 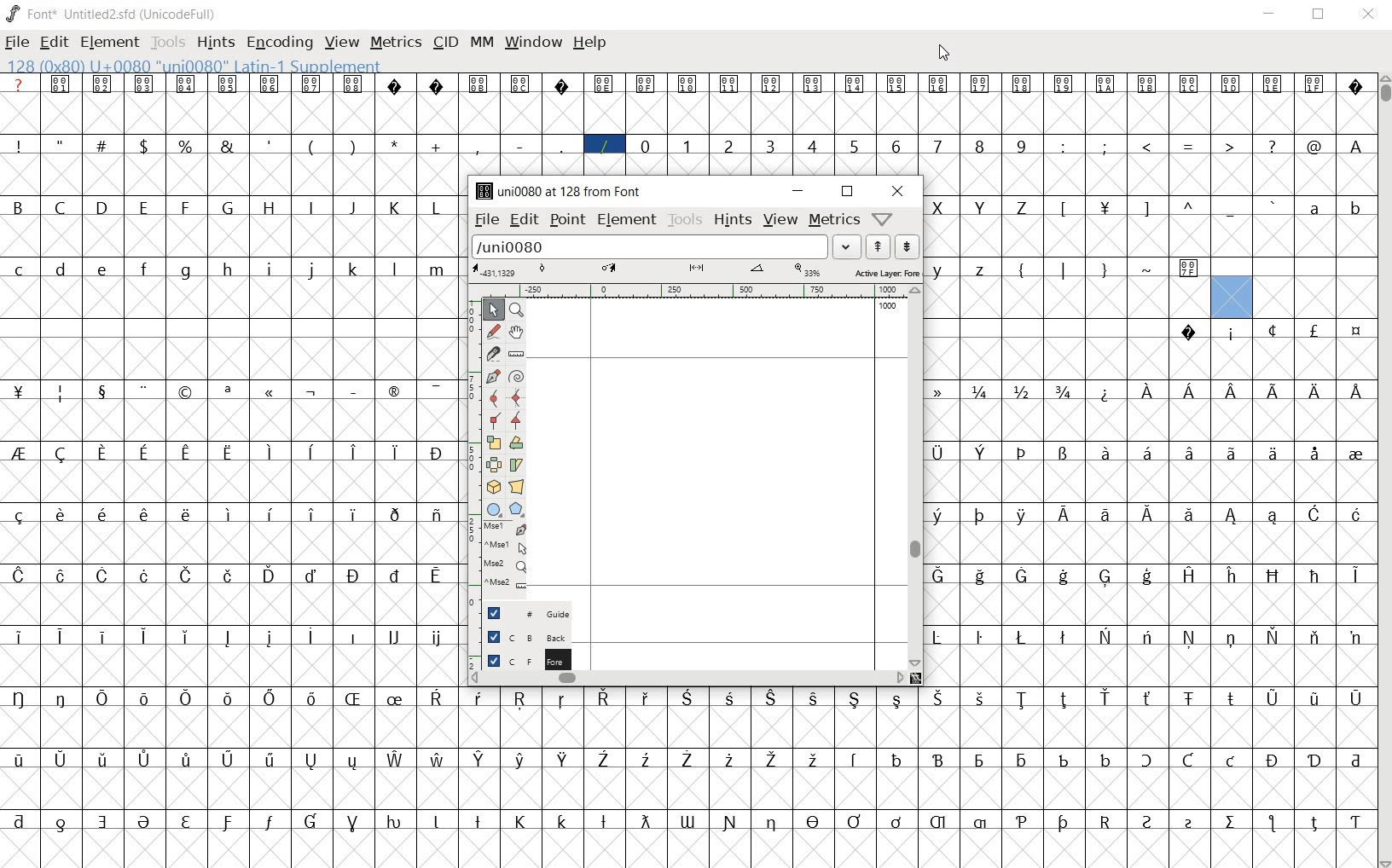 I want to click on glyph, so click(x=143, y=514).